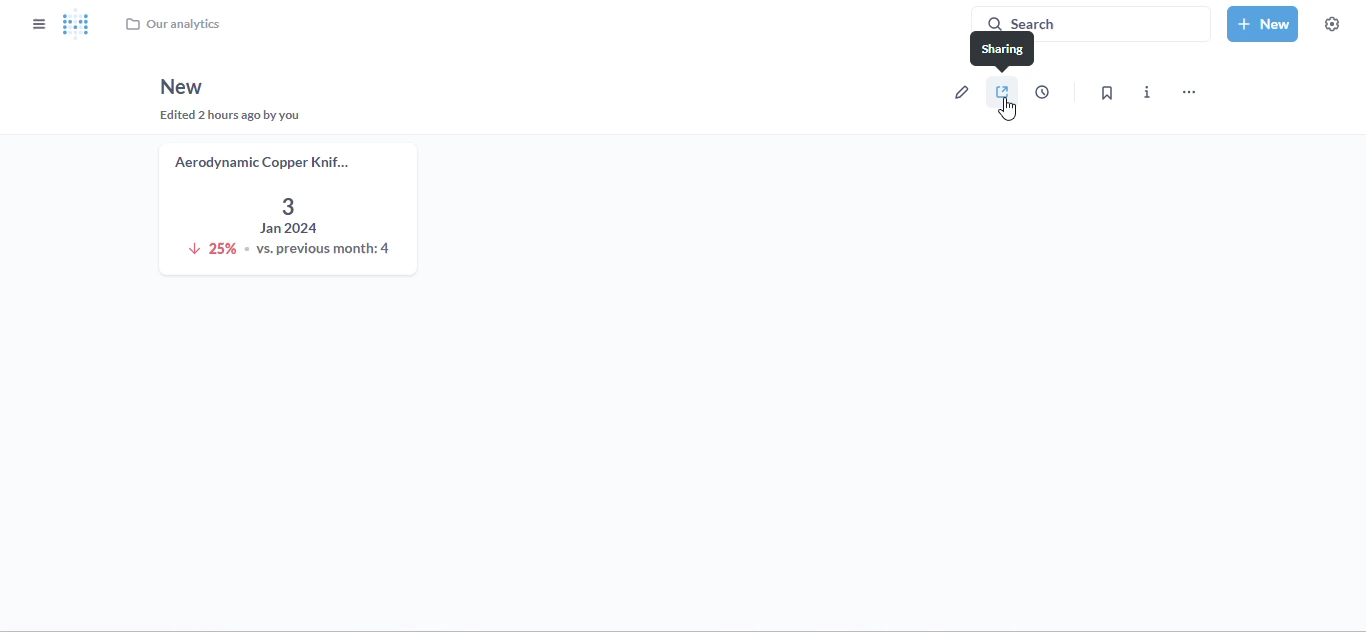 This screenshot has width=1366, height=632. What do you see at coordinates (1007, 110) in the screenshot?
I see `cursor` at bounding box center [1007, 110].